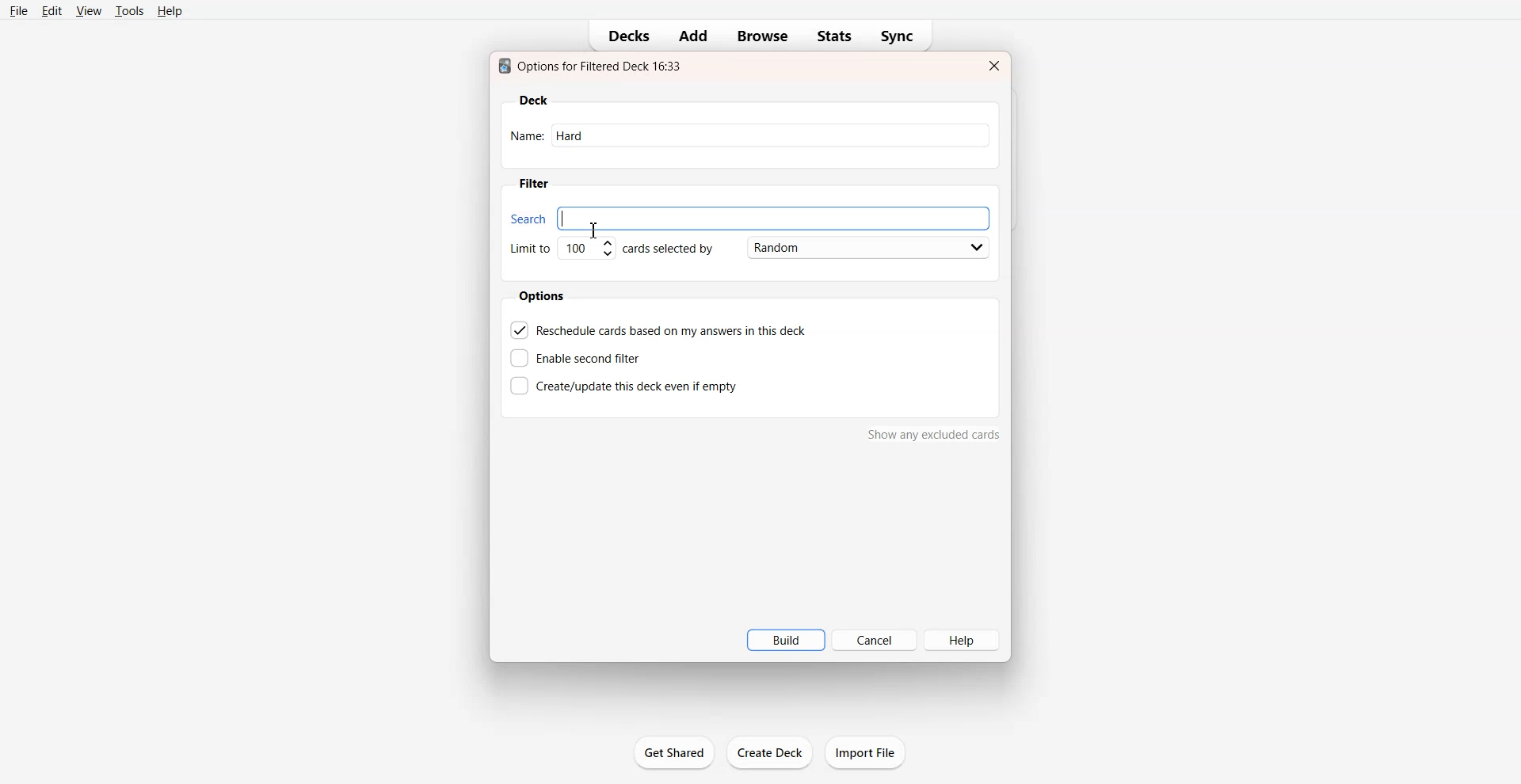 The height and width of the screenshot is (784, 1521). What do you see at coordinates (692, 36) in the screenshot?
I see `Add` at bounding box center [692, 36].